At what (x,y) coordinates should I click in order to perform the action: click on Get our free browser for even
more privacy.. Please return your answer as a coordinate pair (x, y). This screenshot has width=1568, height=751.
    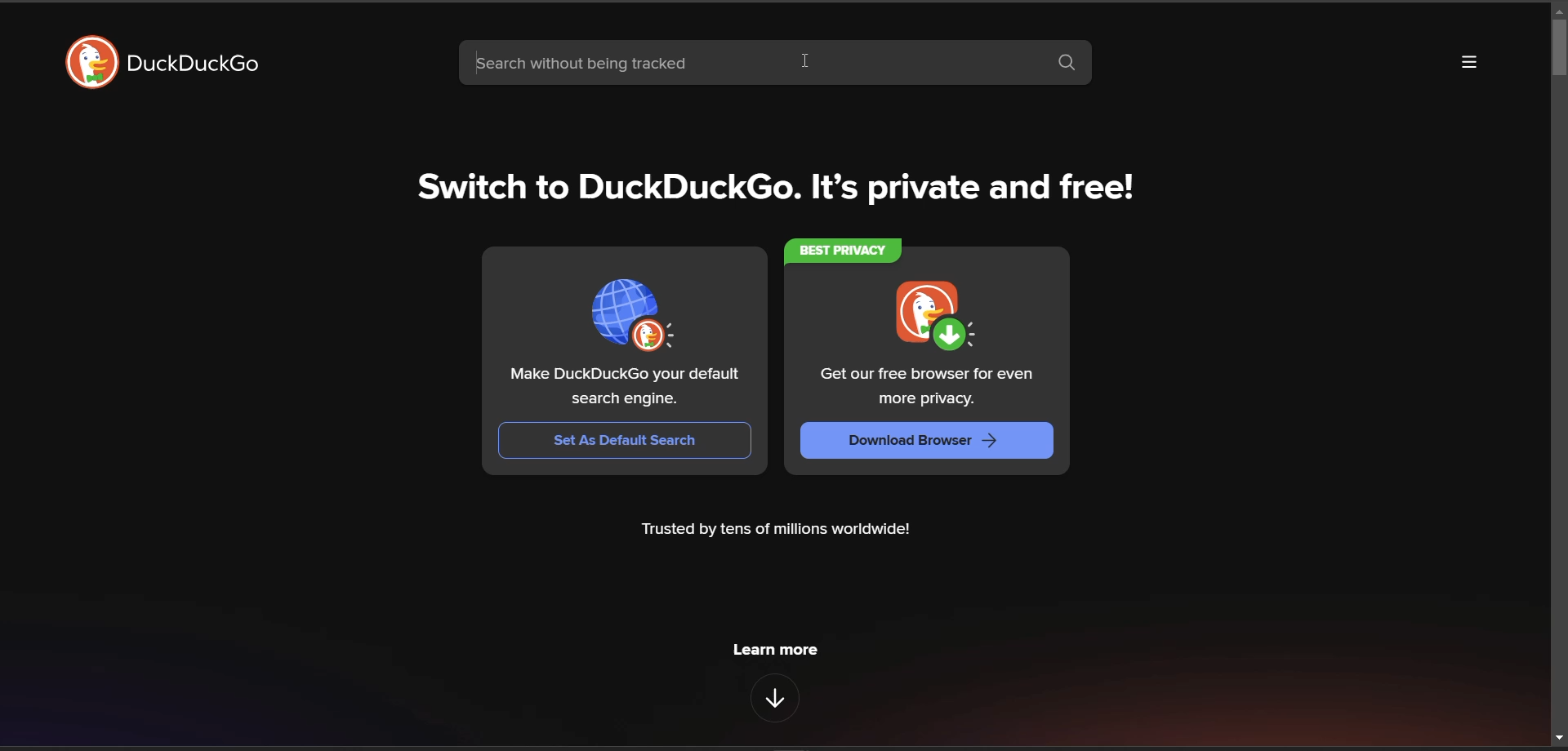
    Looking at the image, I should click on (929, 387).